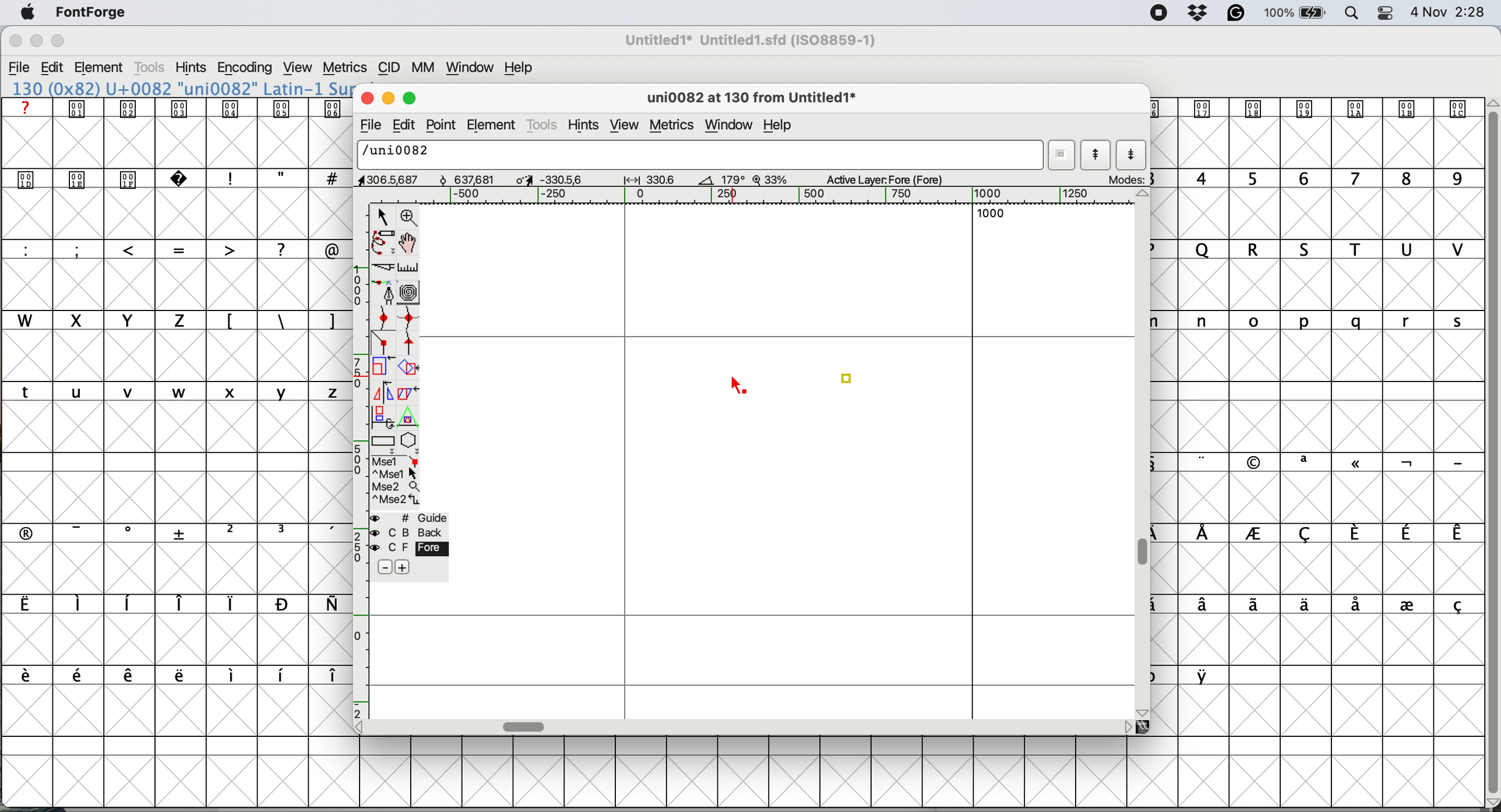  What do you see at coordinates (15, 41) in the screenshot?
I see `close` at bounding box center [15, 41].